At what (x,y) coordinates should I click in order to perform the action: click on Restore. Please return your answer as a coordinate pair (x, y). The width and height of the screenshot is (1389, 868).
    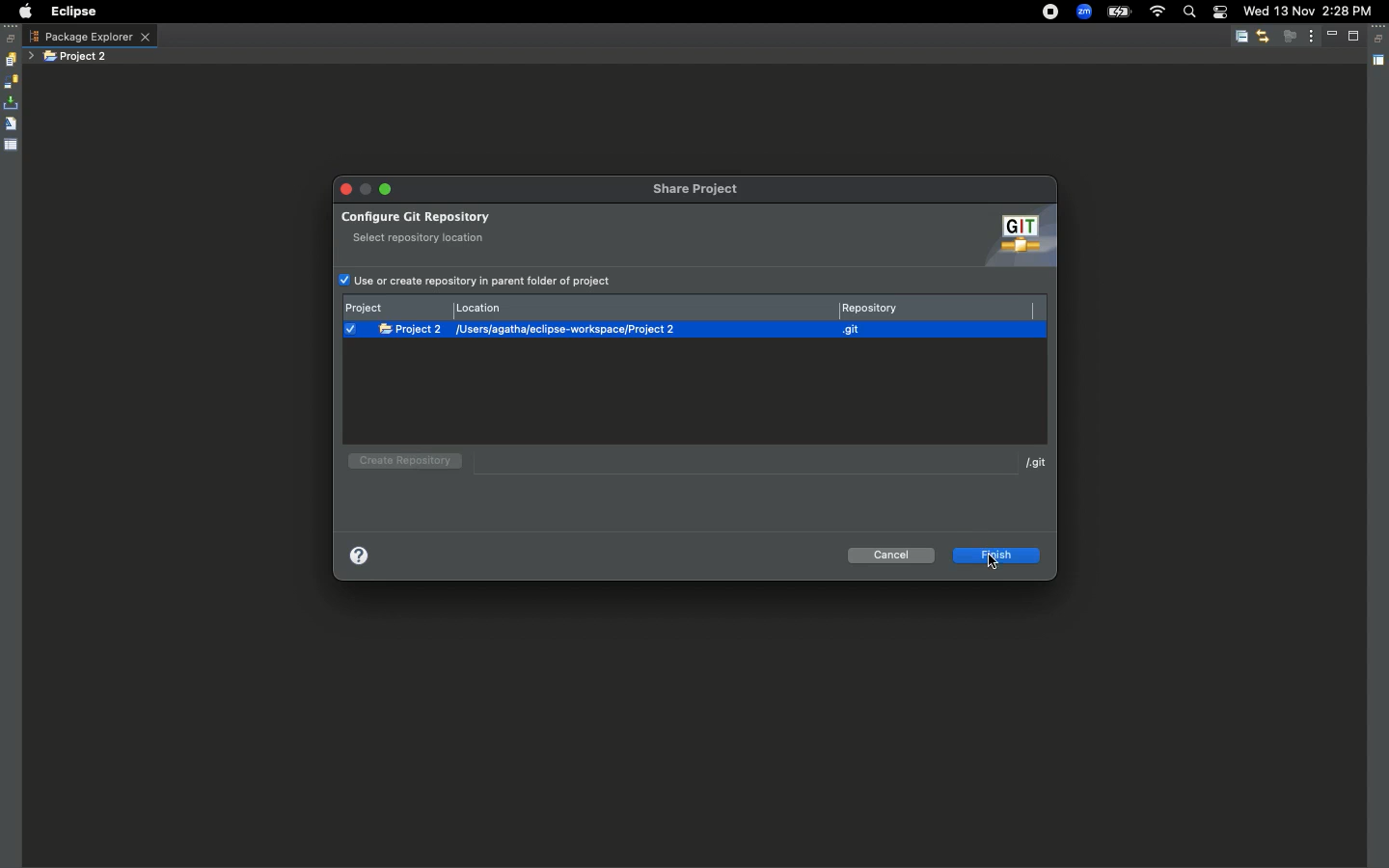
    Looking at the image, I should click on (12, 39).